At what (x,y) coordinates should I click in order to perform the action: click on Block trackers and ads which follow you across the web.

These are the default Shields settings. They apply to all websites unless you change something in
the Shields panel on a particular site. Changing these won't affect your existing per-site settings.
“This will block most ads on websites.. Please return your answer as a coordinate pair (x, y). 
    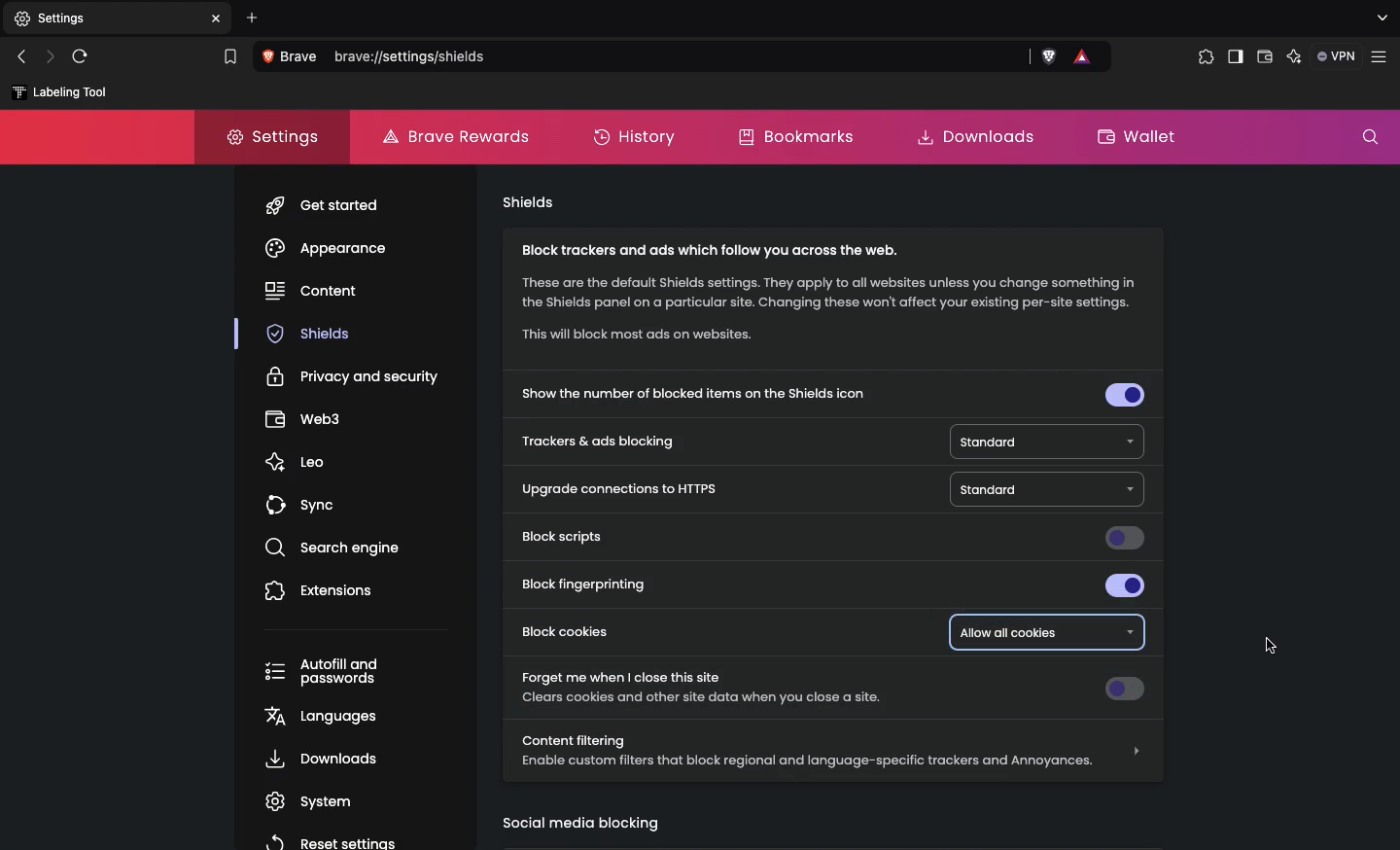
    Looking at the image, I should click on (825, 301).